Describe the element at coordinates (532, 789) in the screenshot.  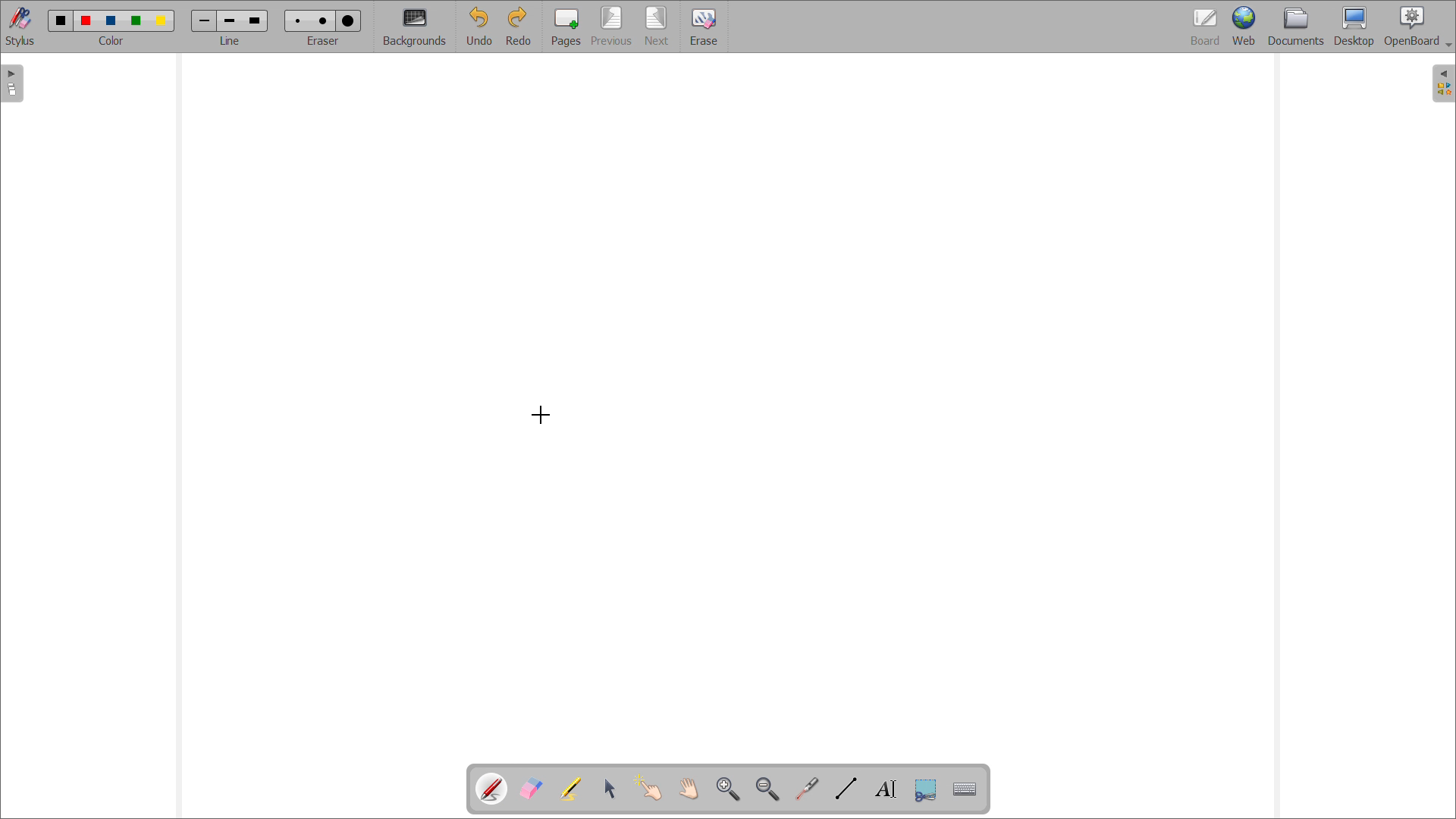
I see `erase annotations` at that location.